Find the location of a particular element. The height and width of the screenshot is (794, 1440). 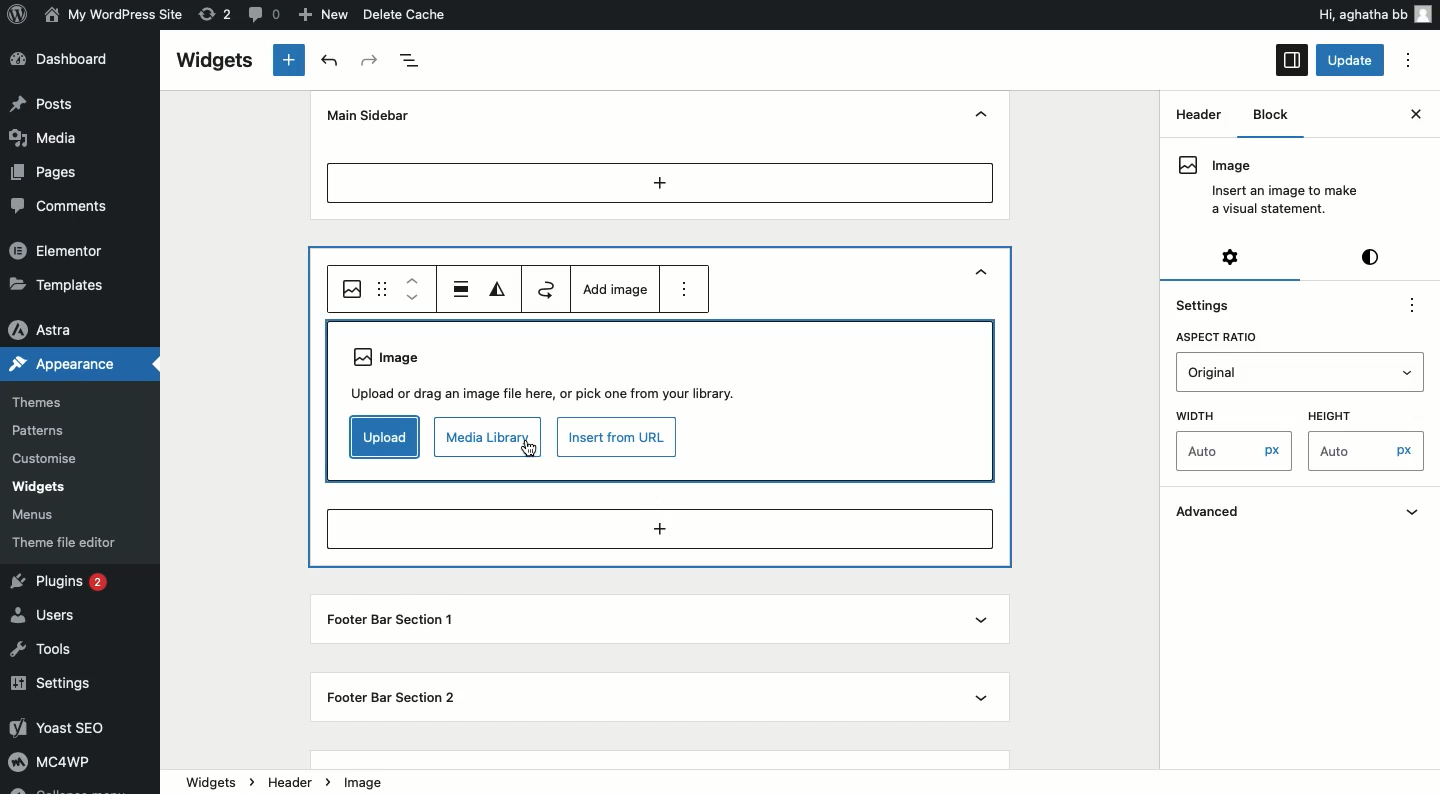

Redo is located at coordinates (371, 61).